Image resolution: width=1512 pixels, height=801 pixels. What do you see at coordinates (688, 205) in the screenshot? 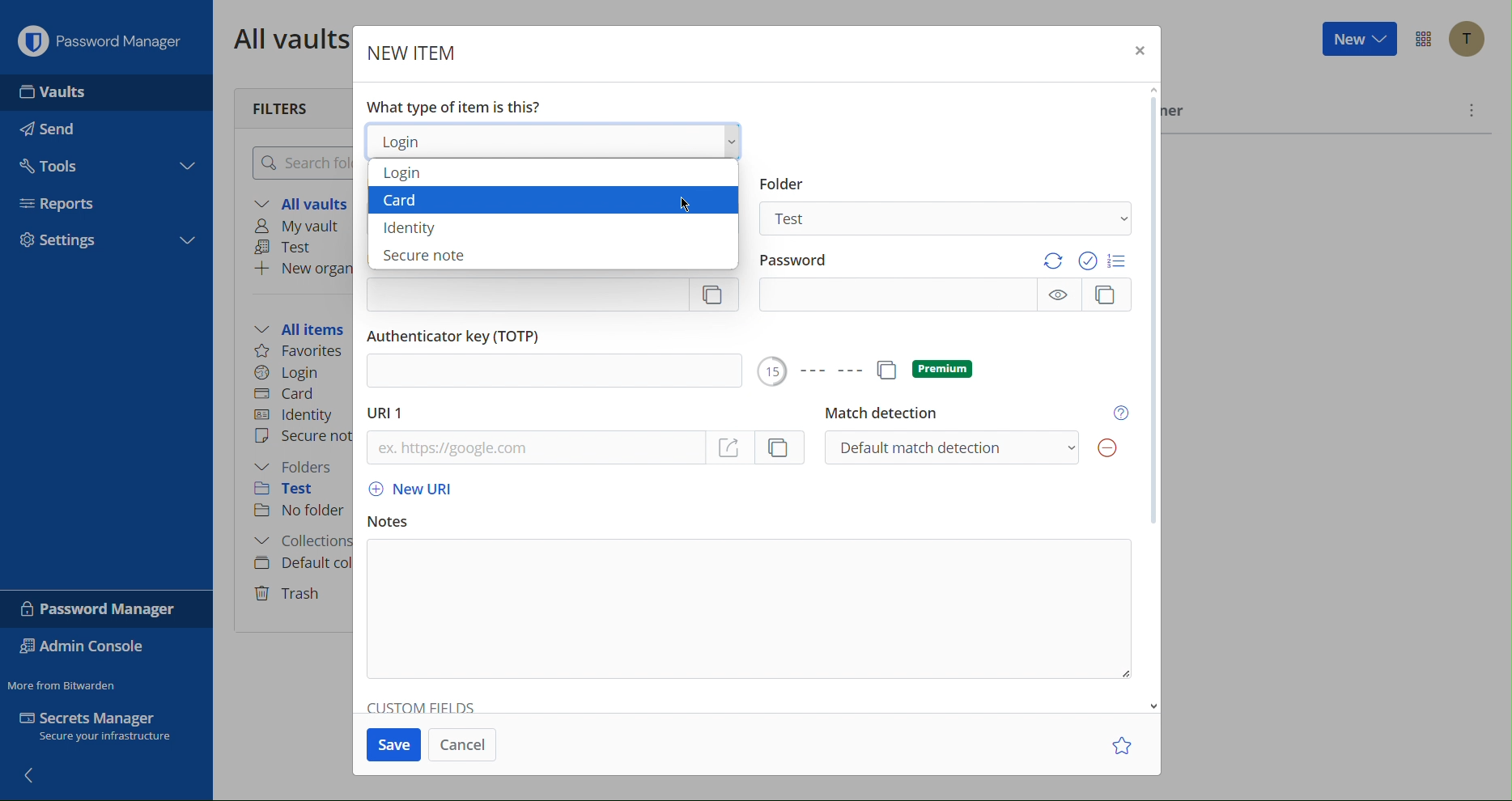
I see `Cursor` at bounding box center [688, 205].